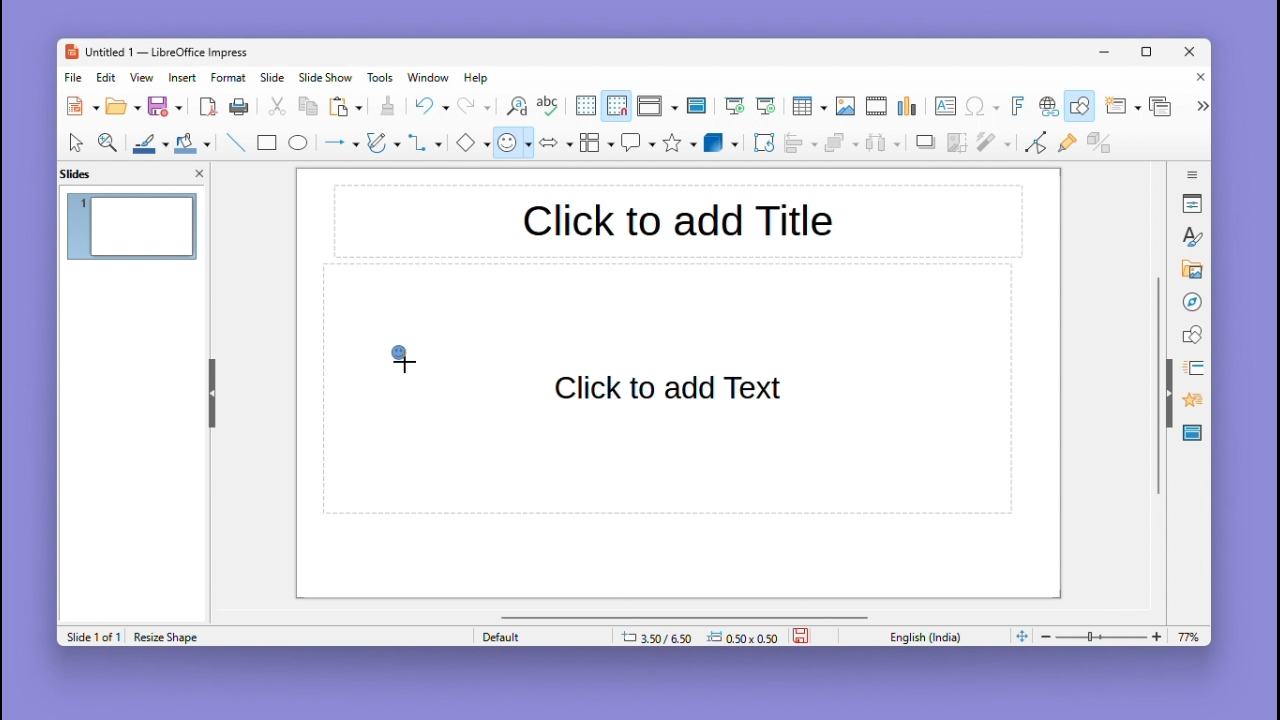  Describe the element at coordinates (584, 107) in the screenshot. I see `display grid` at that location.